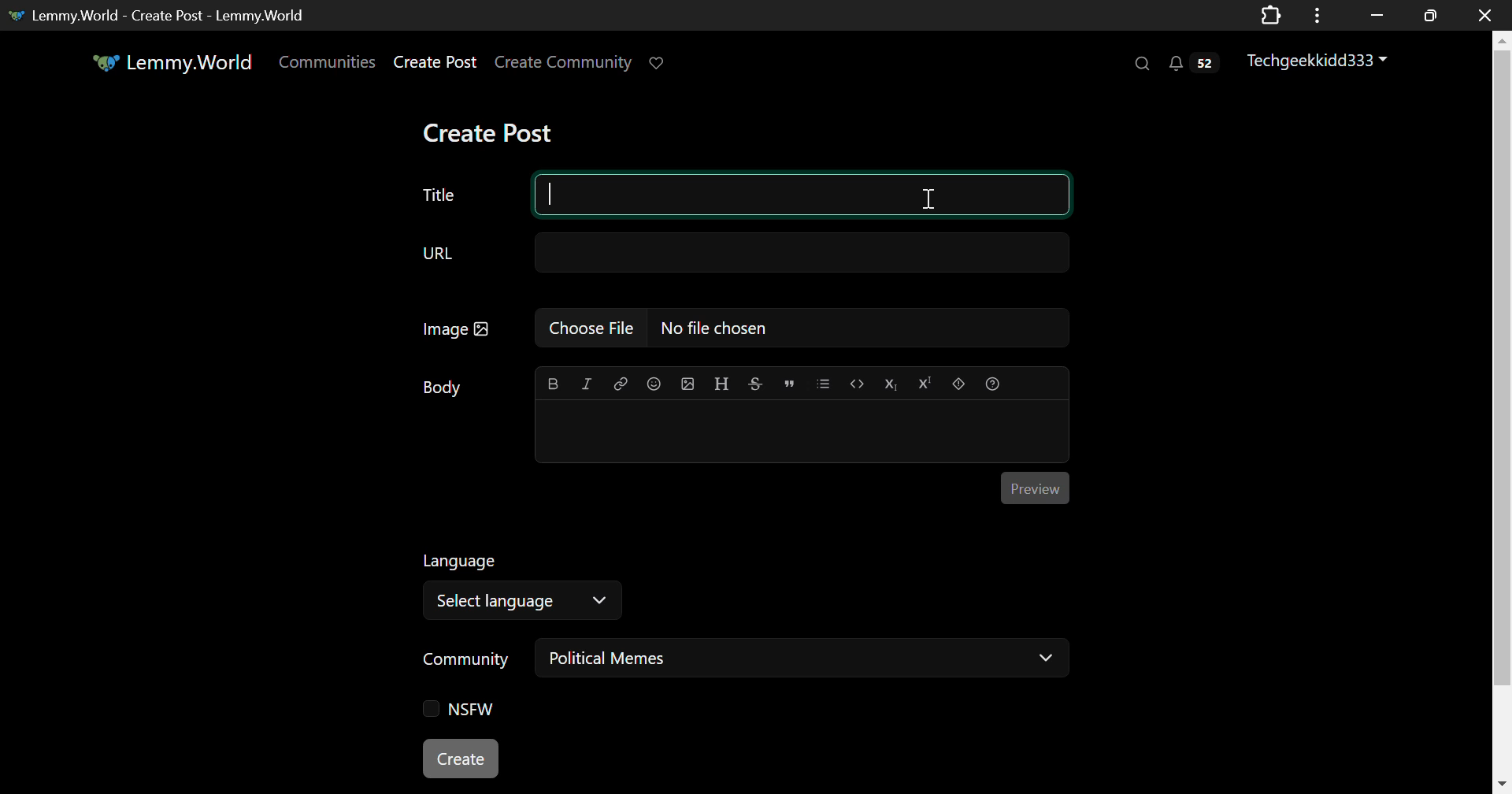  I want to click on Communities Page, so click(326, 61).